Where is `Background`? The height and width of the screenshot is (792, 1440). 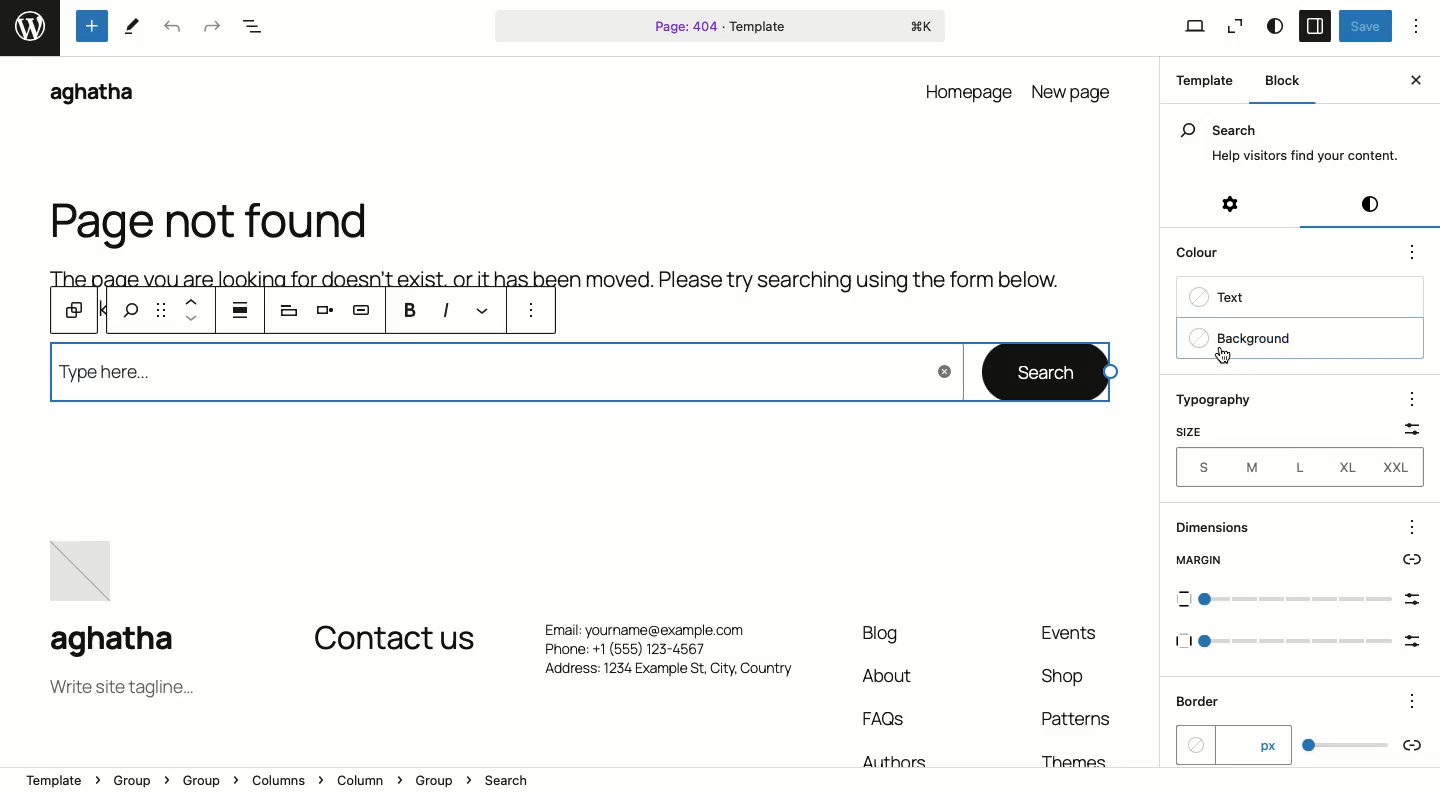
Background is located at coordinates (1248, 341).